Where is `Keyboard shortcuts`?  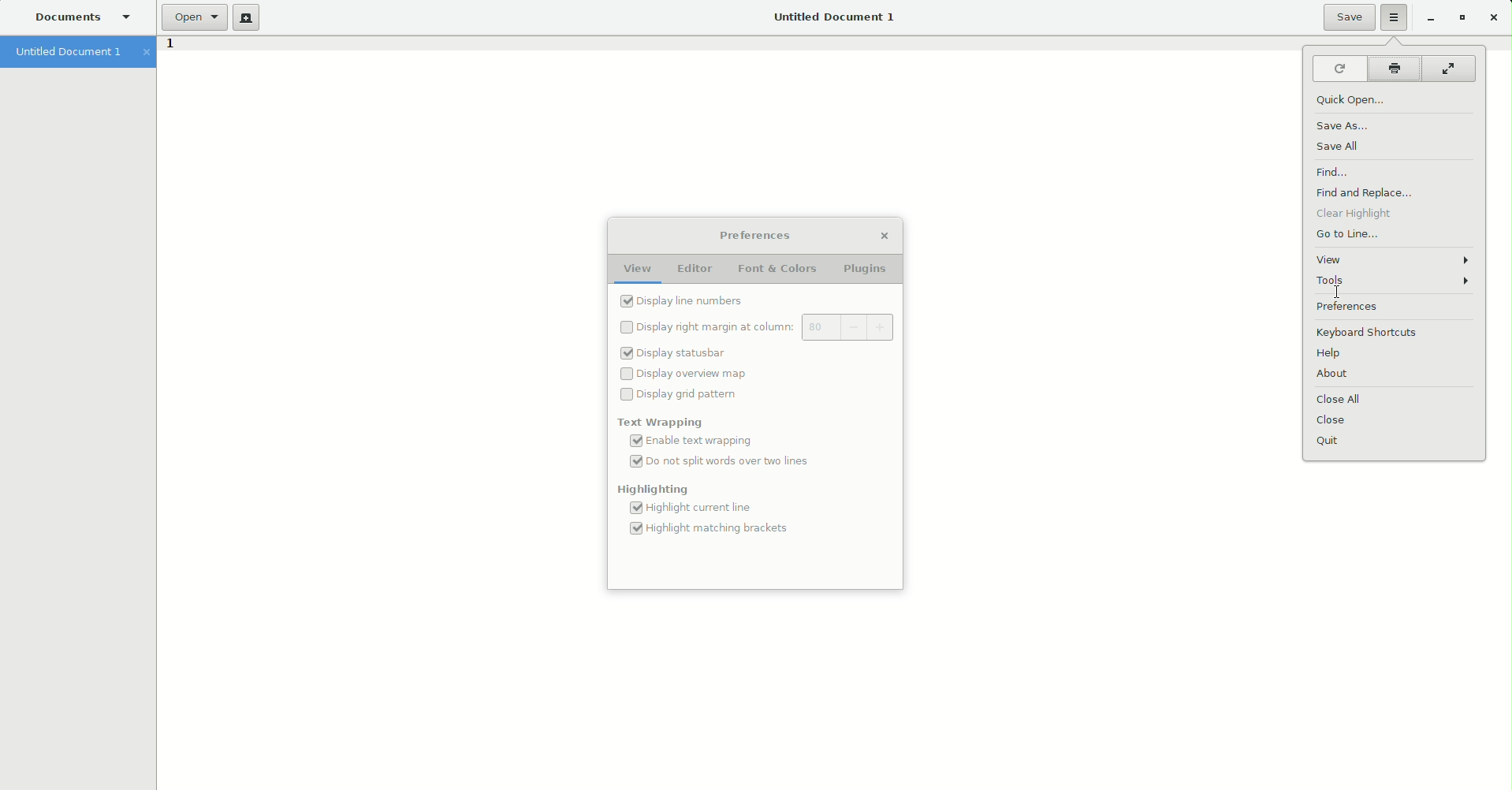
Keyboard shortcuts is located at coordinates (1373, 332).